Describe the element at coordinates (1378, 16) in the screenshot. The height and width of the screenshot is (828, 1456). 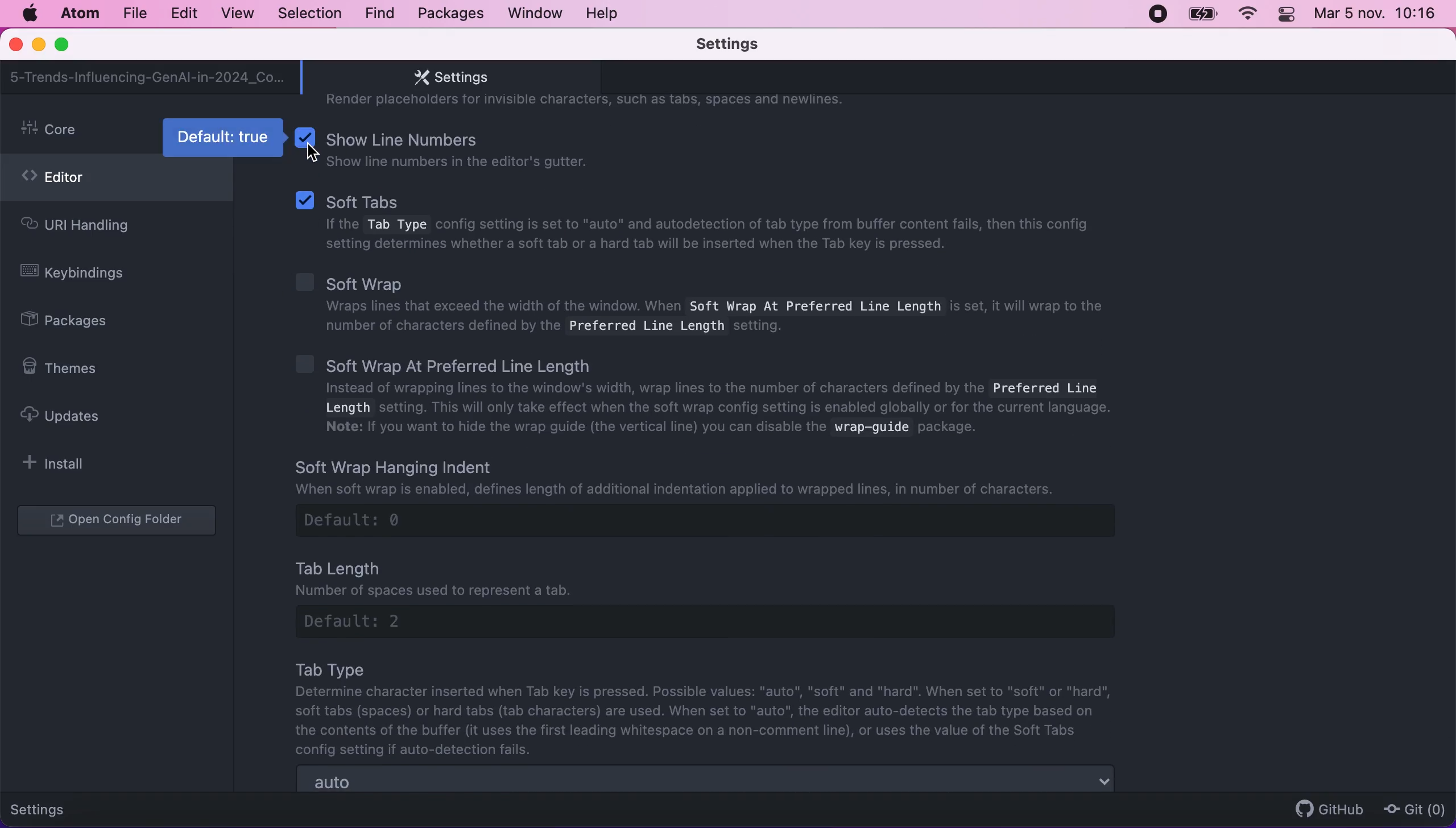
I see `time and date` at that location.